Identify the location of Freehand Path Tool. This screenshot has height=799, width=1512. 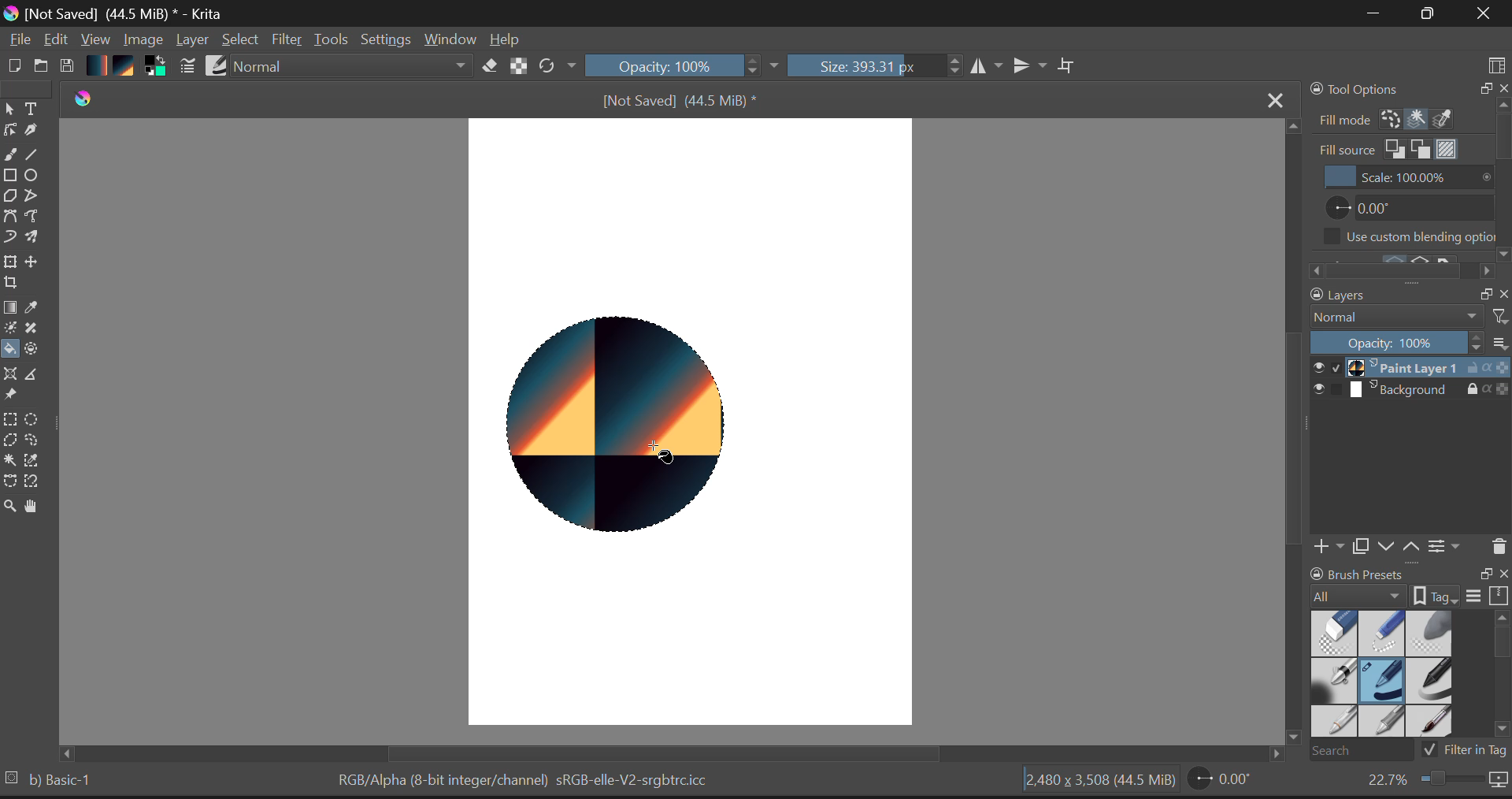
(36, 217).